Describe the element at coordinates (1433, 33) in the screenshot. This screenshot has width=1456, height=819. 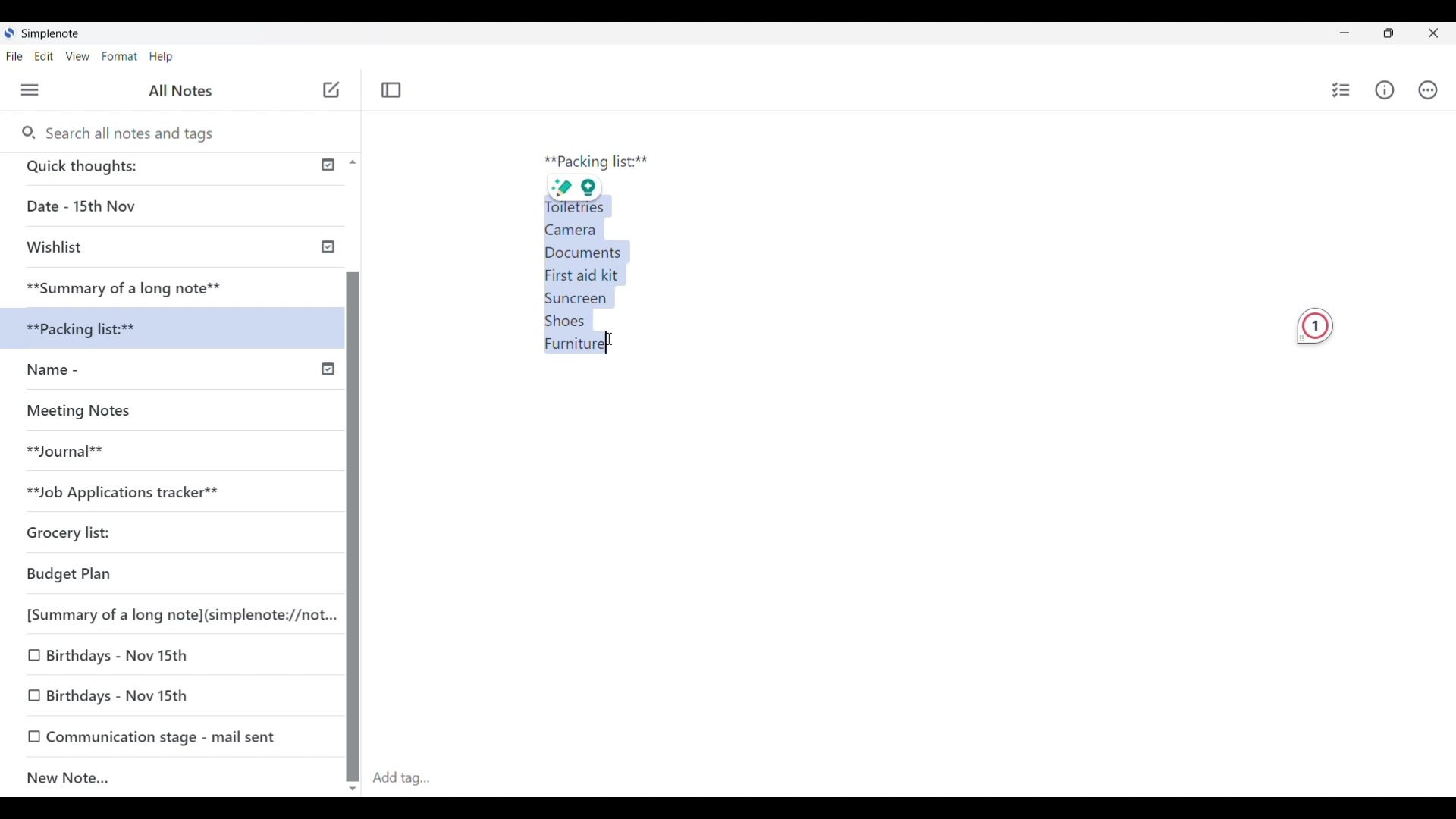
I see `Close interface` at that location.